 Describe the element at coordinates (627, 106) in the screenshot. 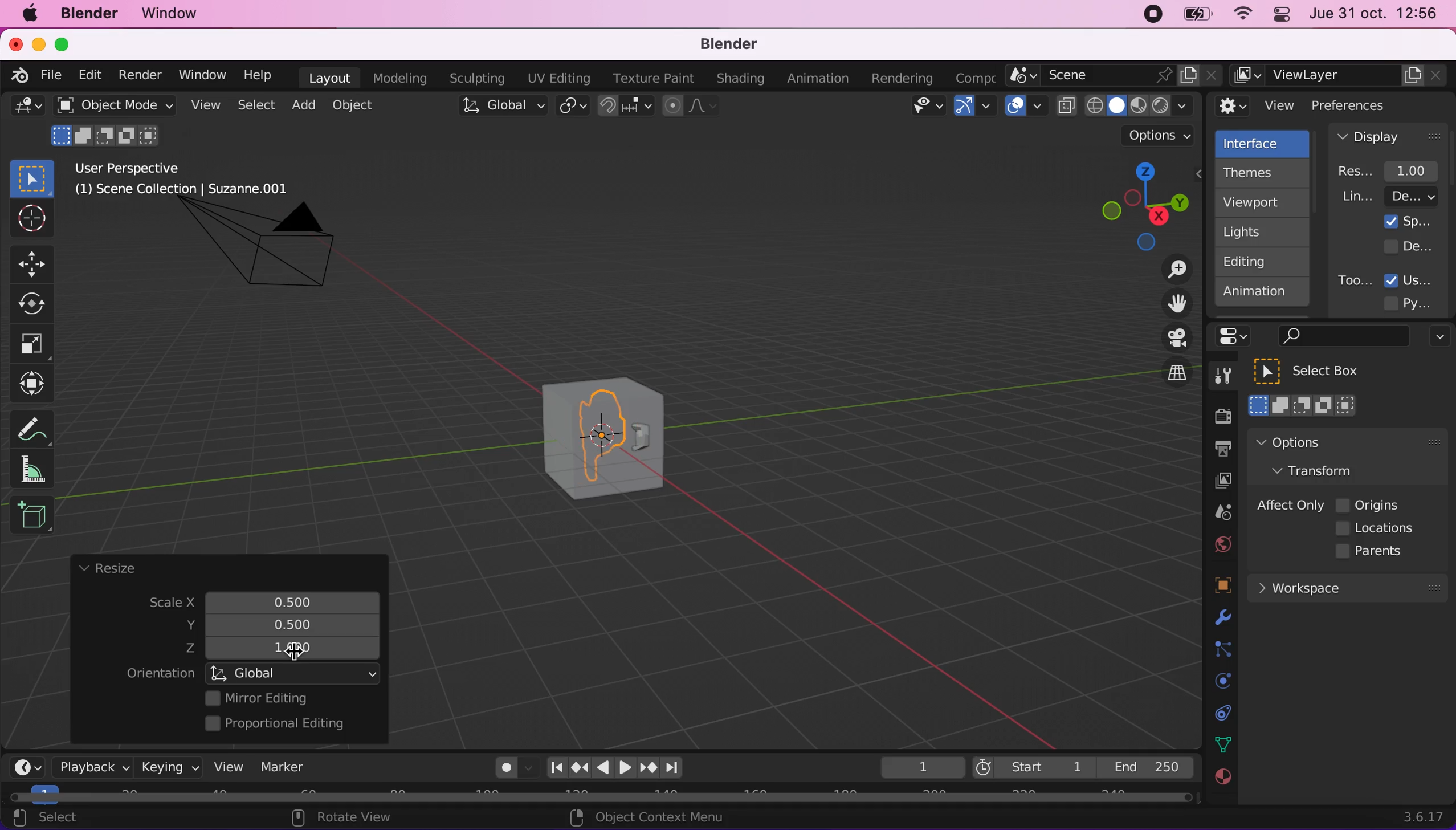

I see `snap` at that location.